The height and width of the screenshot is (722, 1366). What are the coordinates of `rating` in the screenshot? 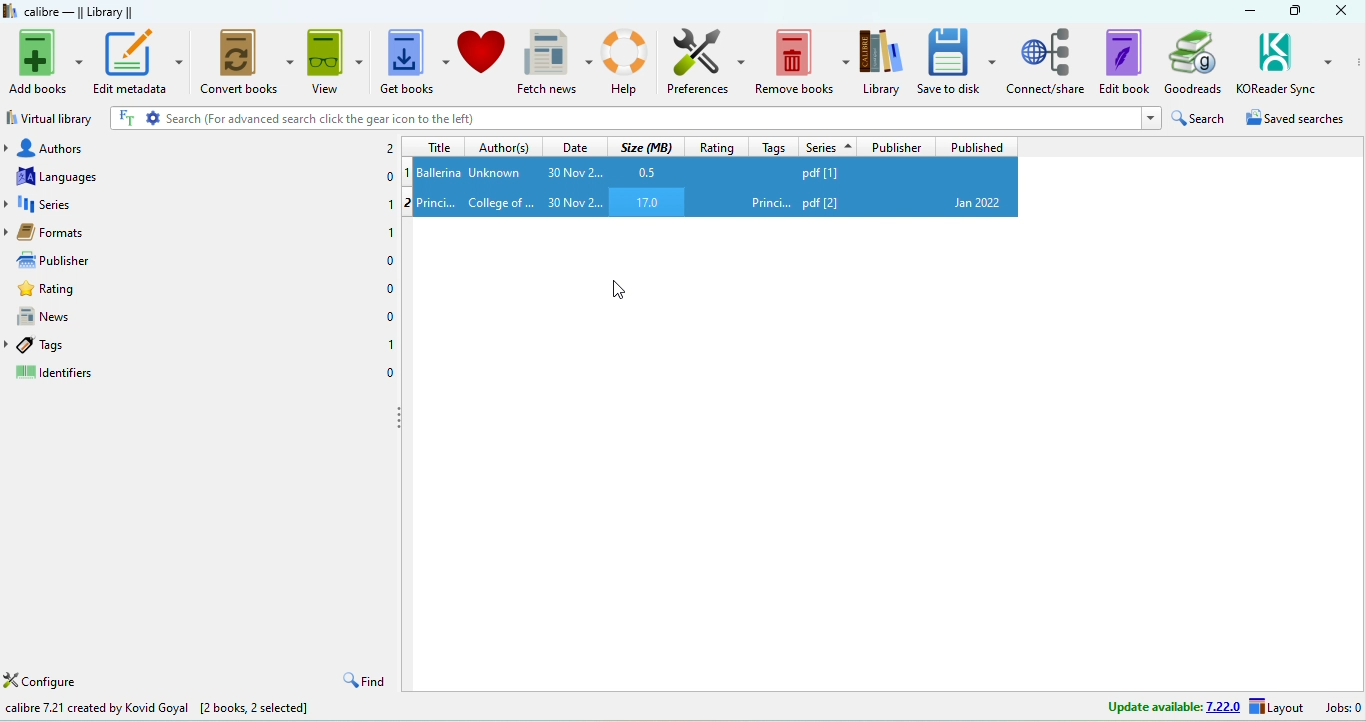 It's located at (716, 147).